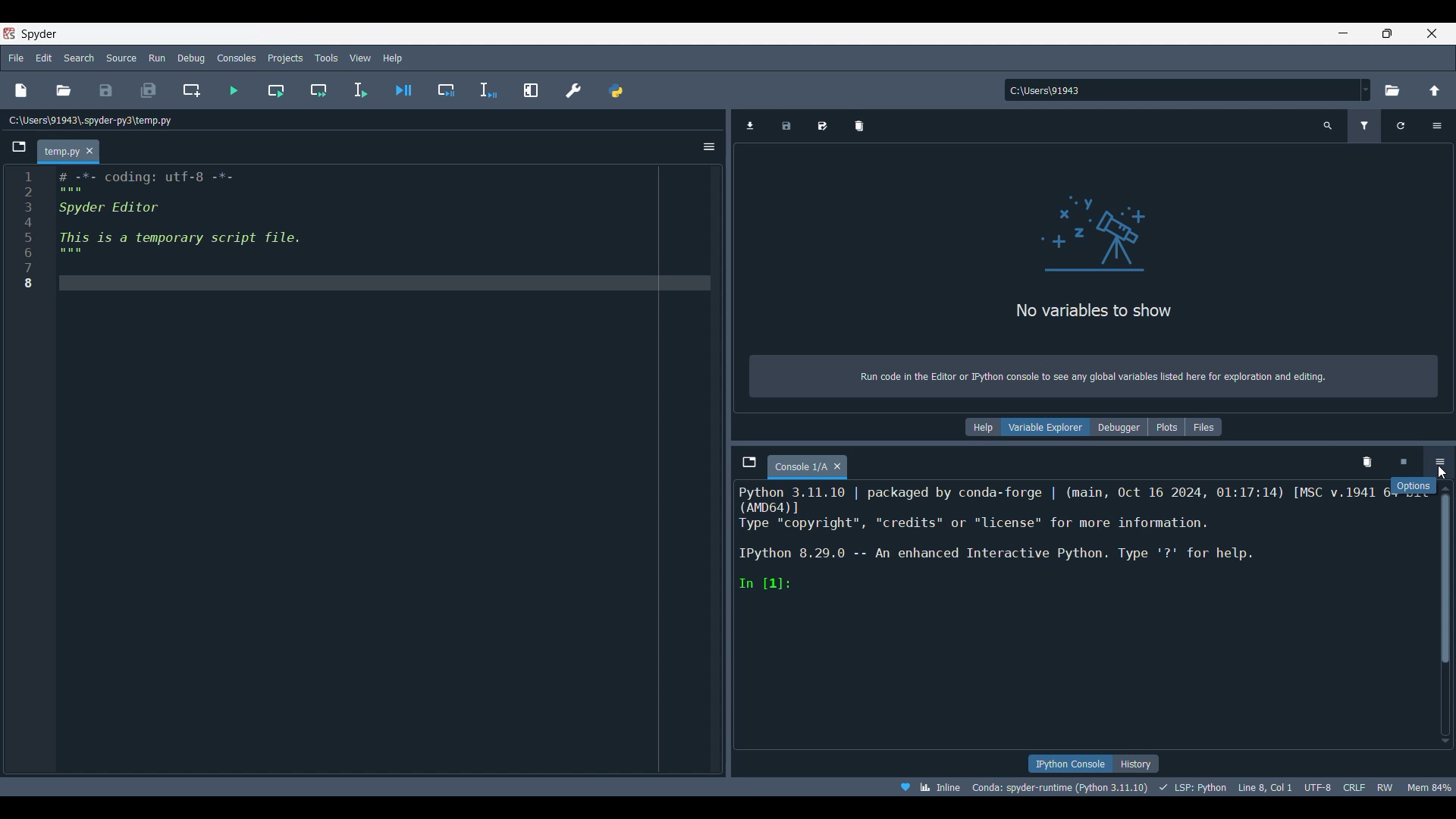 This screenshot has width=1456, height=819. What do you see at coordinates (16, 58) in the screenshot?
I see `File menu` at bounding box center [16, 58].